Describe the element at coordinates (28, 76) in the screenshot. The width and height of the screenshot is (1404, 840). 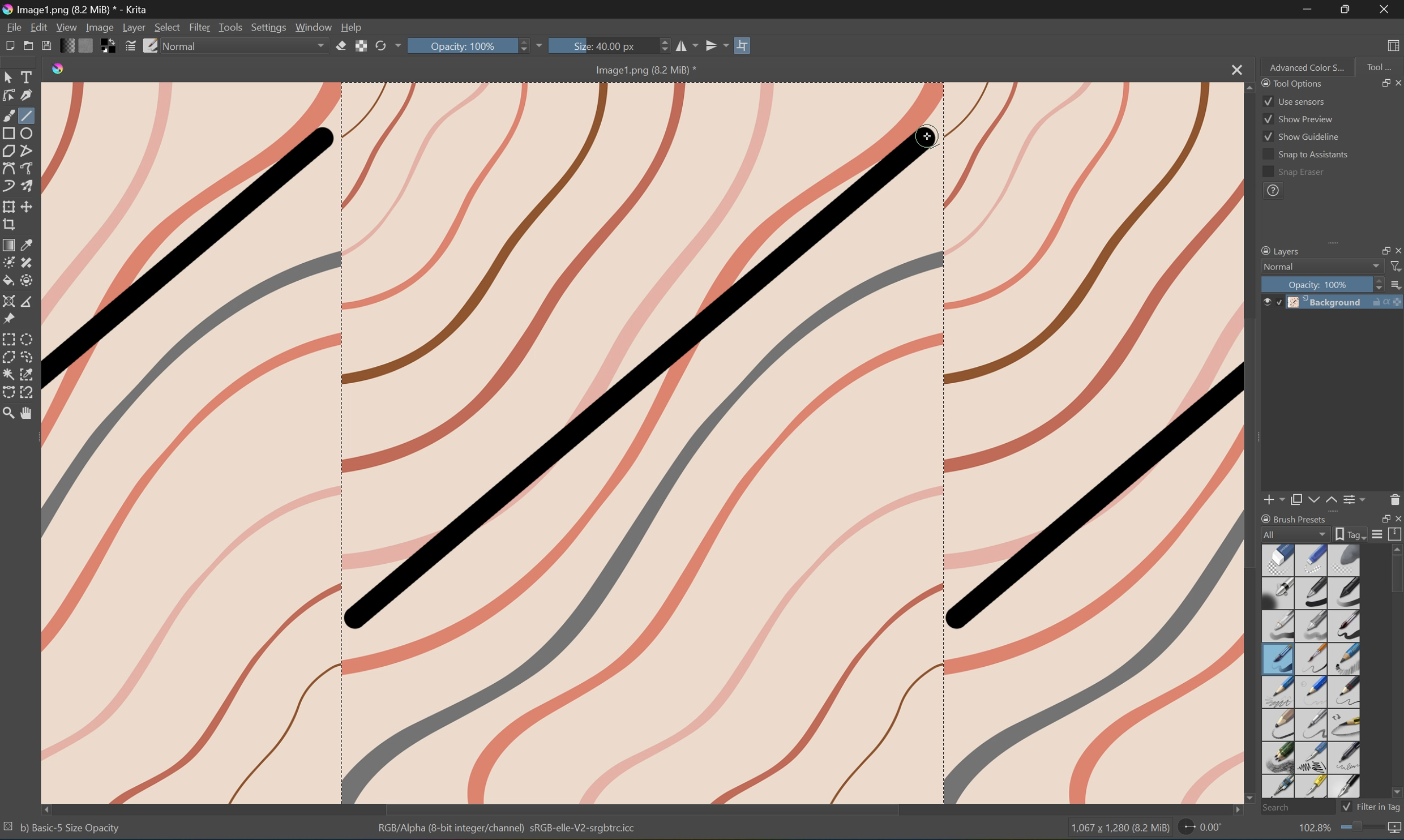
I see `Select Tools` at that location.